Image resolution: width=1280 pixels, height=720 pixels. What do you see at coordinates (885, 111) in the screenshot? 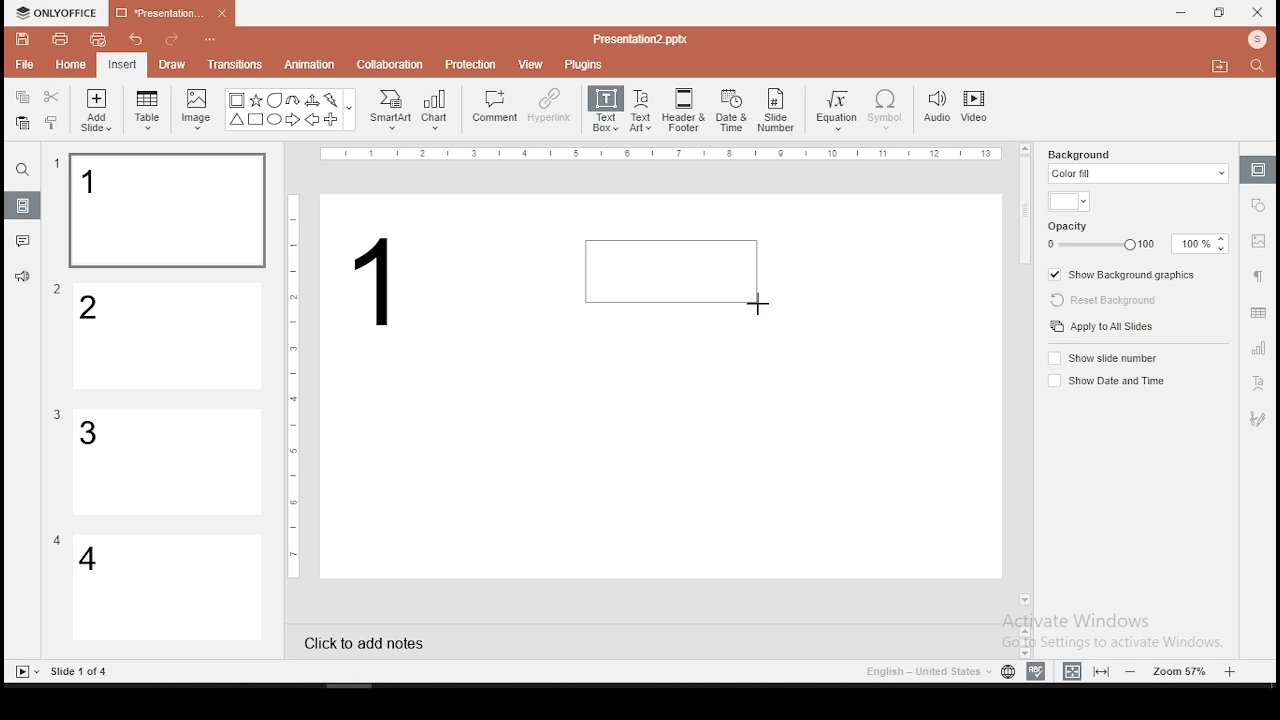
I see `symbol` at bounding box center [885, 111].